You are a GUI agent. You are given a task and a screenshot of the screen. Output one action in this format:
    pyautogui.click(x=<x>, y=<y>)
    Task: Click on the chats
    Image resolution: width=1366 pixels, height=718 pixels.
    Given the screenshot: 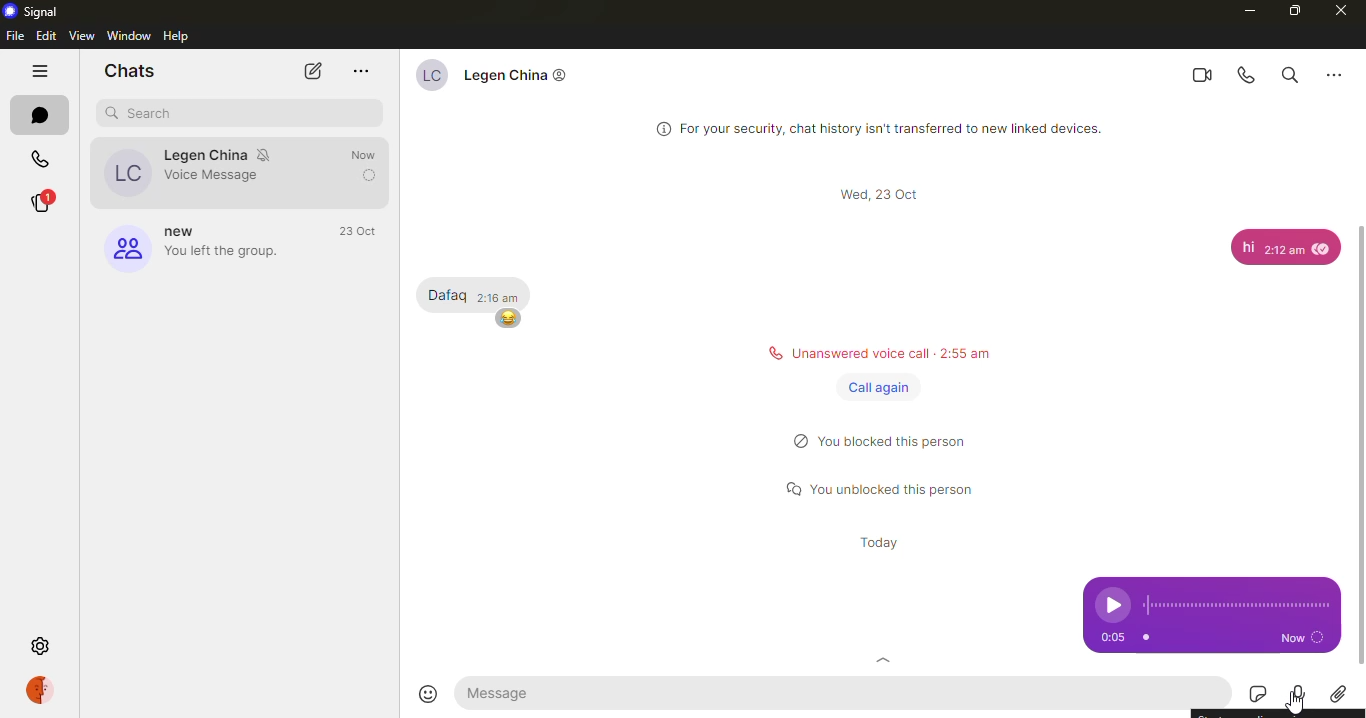 What is the action you would take?
    pyautogui.click(x=47, y=117)
    